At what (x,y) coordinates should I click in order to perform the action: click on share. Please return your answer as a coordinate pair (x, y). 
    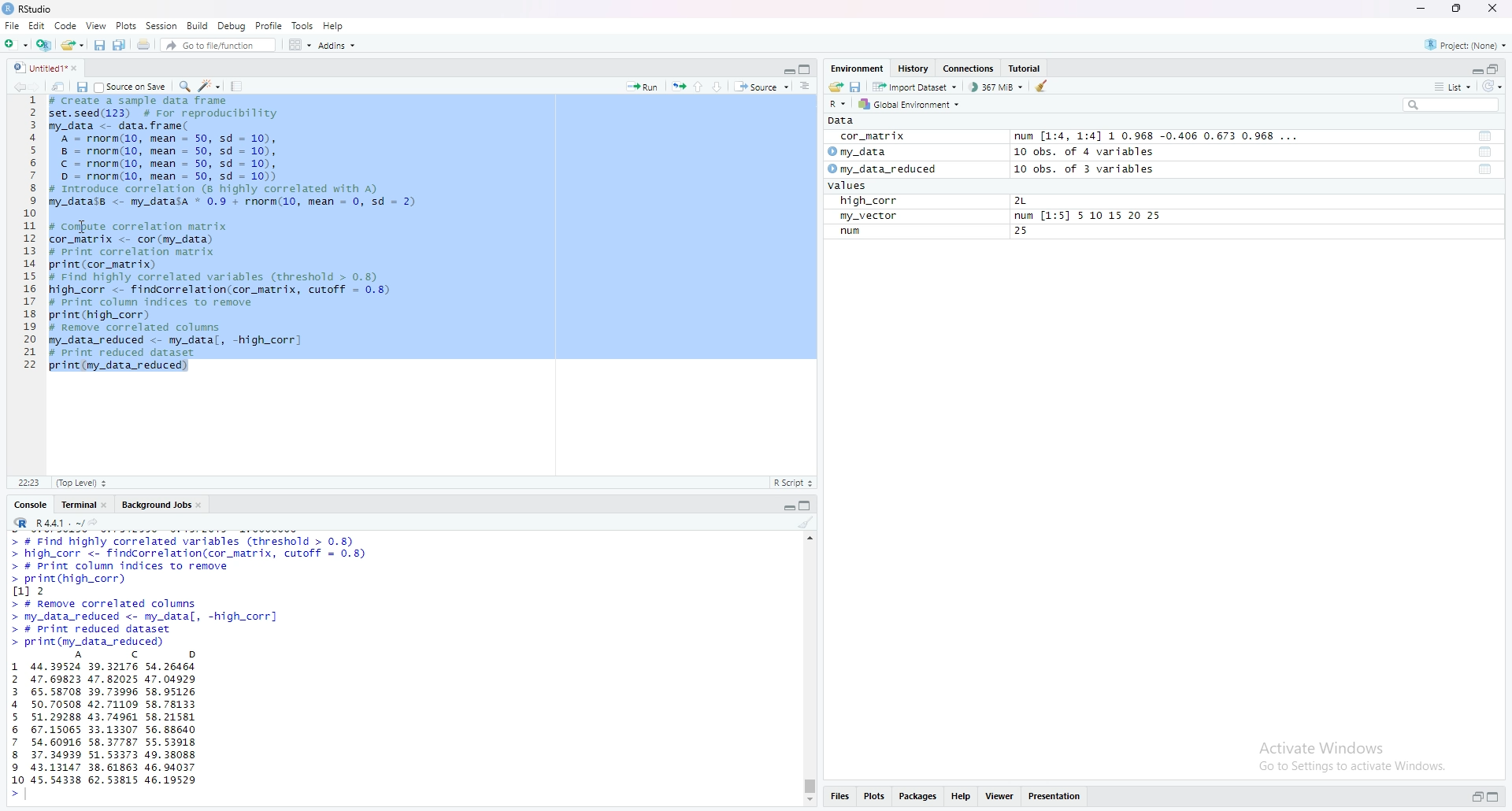
    Looking at the image, I should click on (836, 87).